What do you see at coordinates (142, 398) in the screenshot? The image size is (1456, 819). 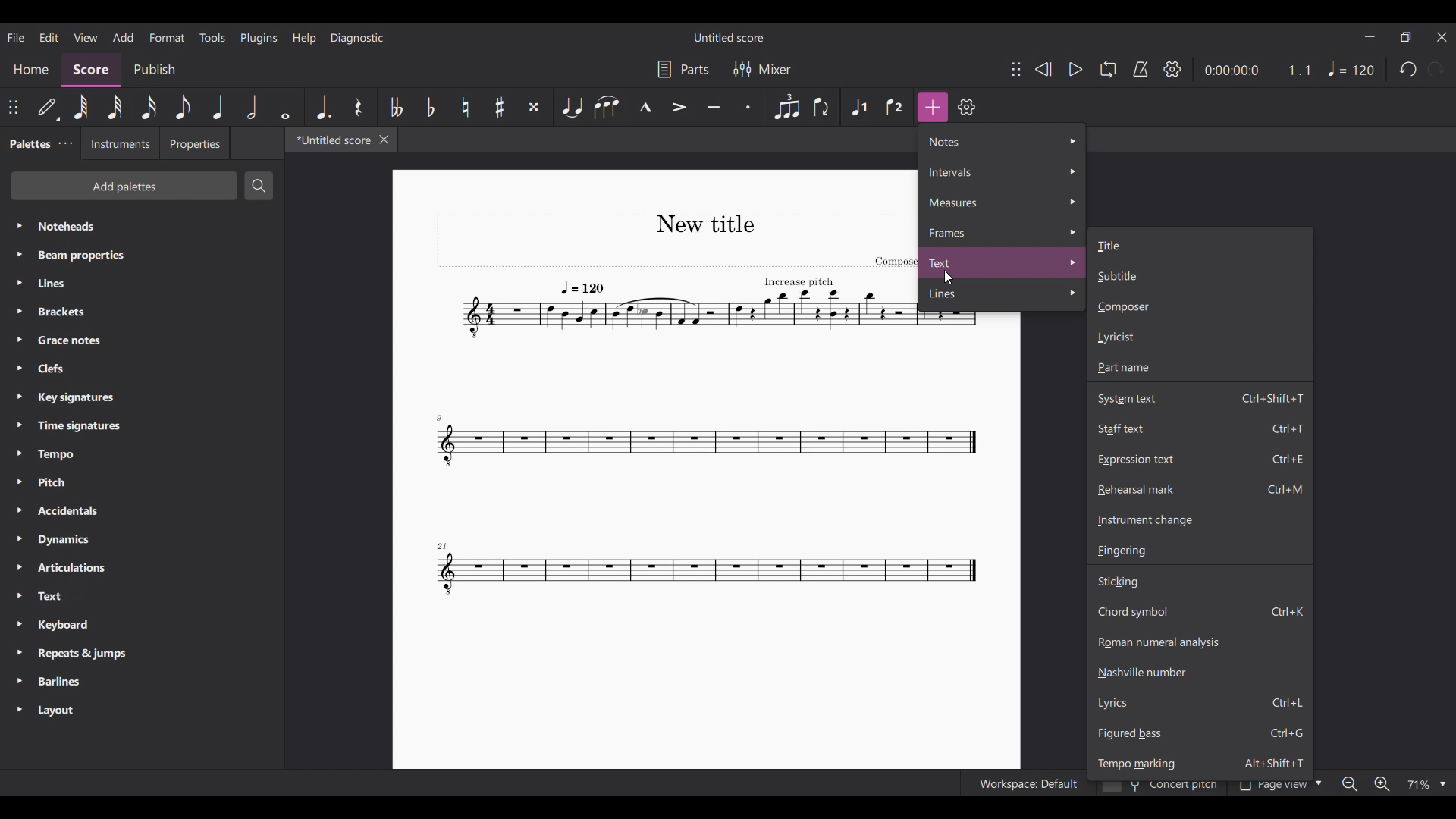 I see `Key signatures` at bounding box center [142, 398].